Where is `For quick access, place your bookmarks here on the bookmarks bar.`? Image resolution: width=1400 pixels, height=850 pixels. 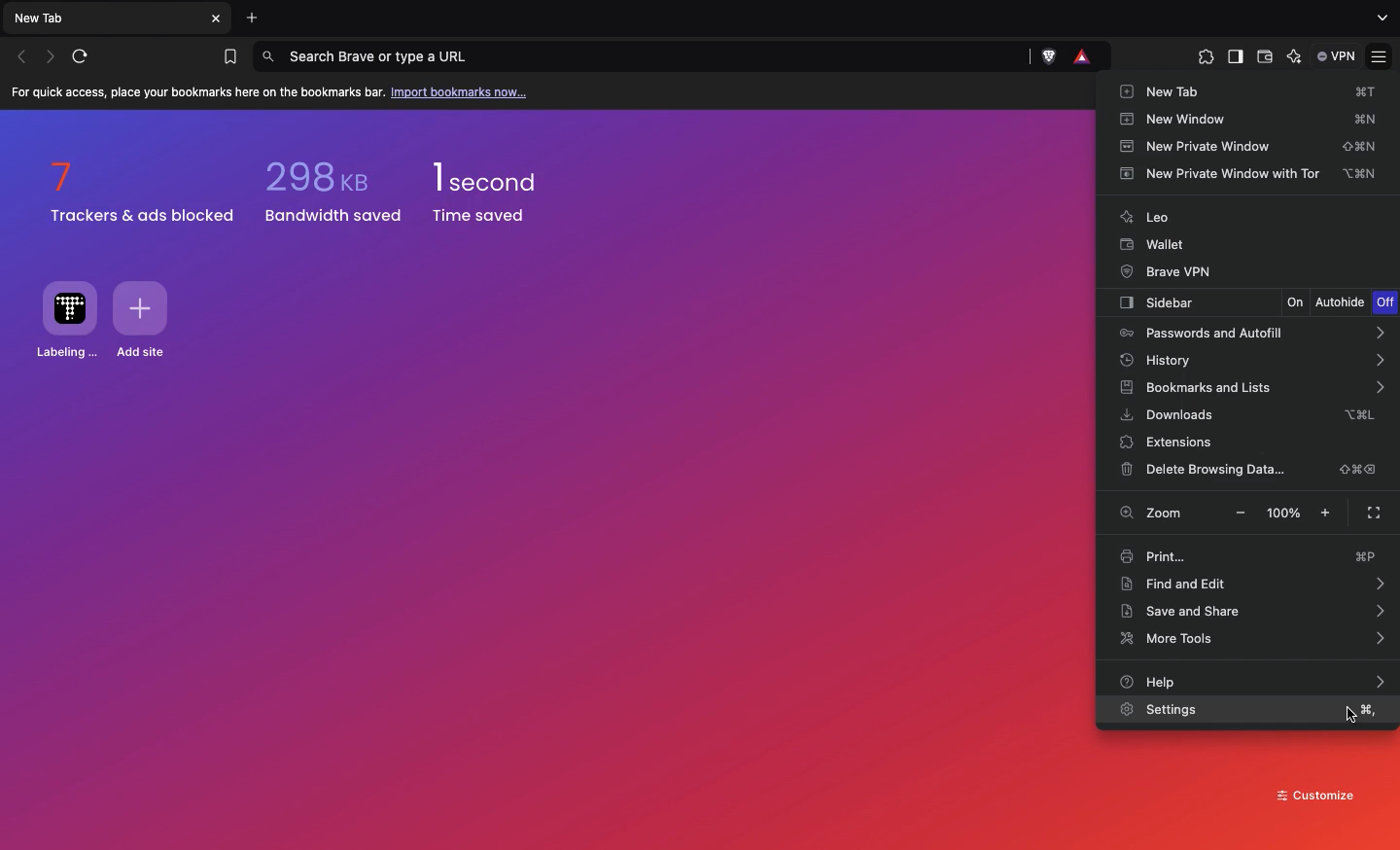 For quick access, place your bookmarks here on the bookmarks bar. is located at coordinates (194, 92).